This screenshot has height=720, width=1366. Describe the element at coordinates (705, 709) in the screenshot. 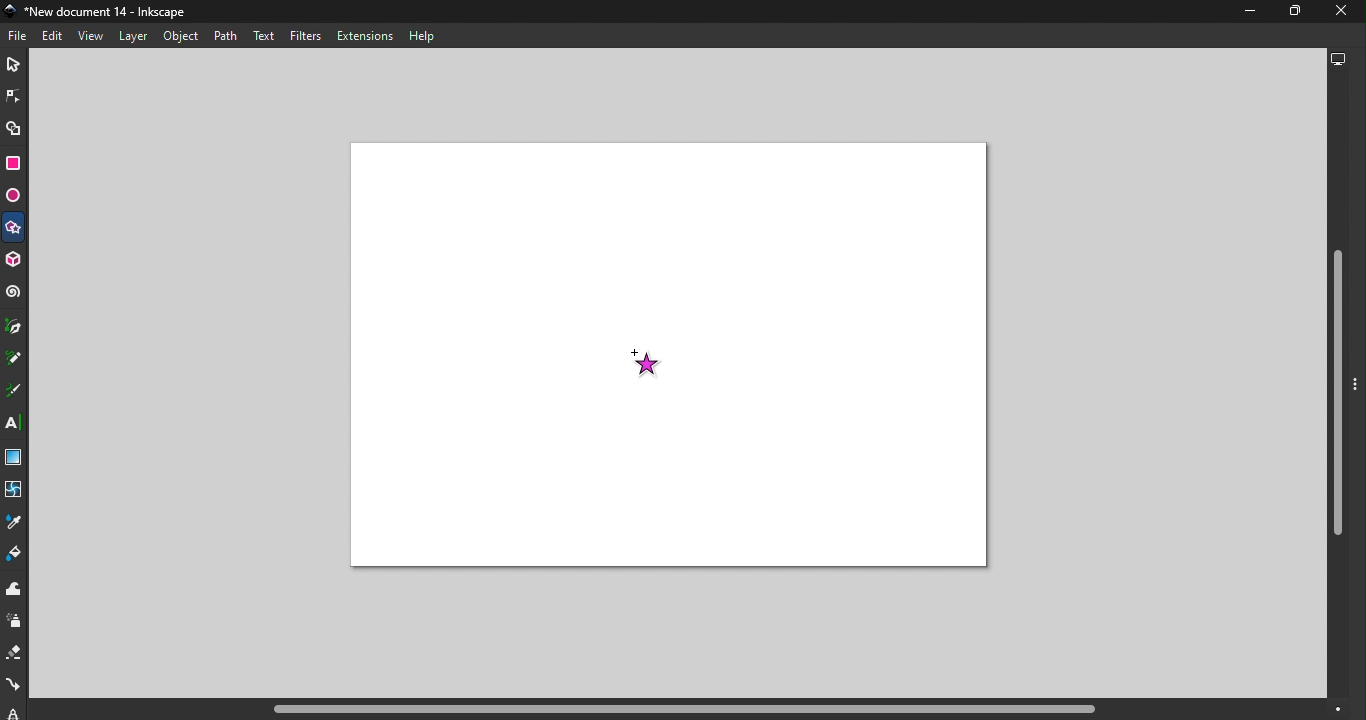

I see `Horizontal scroll bar` at that location.